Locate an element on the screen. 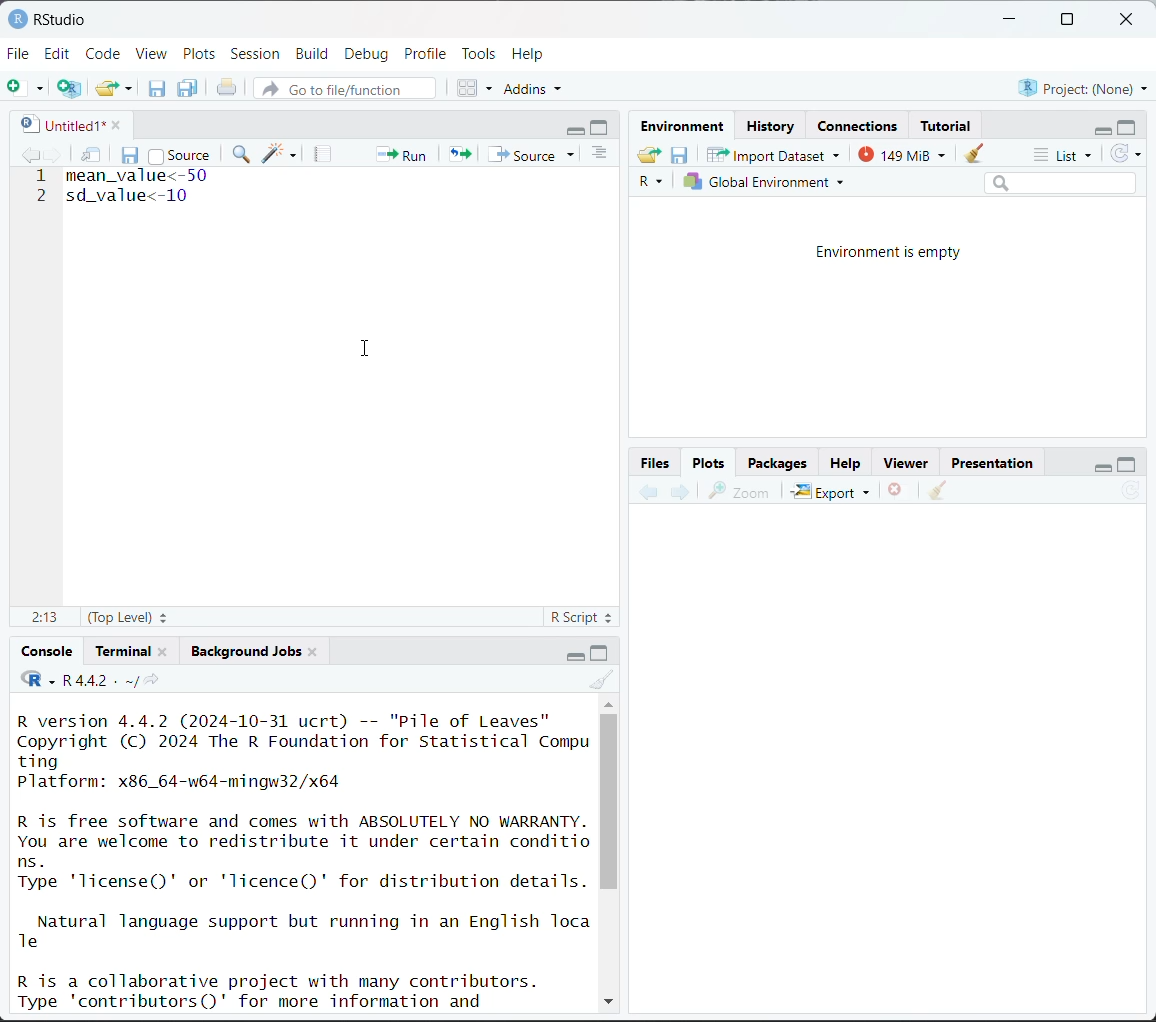 This screenshot has height=1022, width=1156. Profile is located at coordinates (428, 52).